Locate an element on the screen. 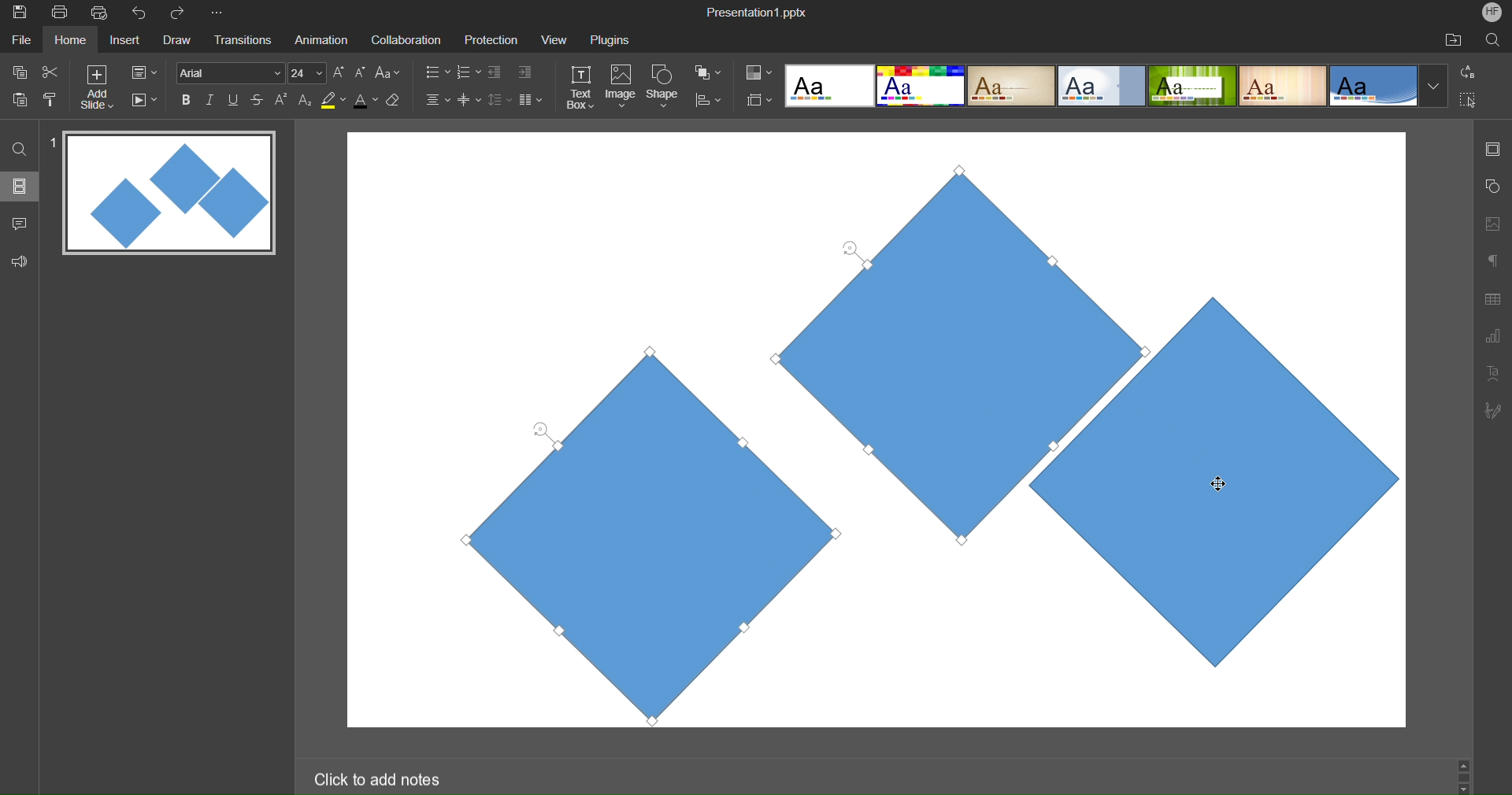 This screenshot has height=795, width=1512. a to b is located at coordinates (1472, 71).